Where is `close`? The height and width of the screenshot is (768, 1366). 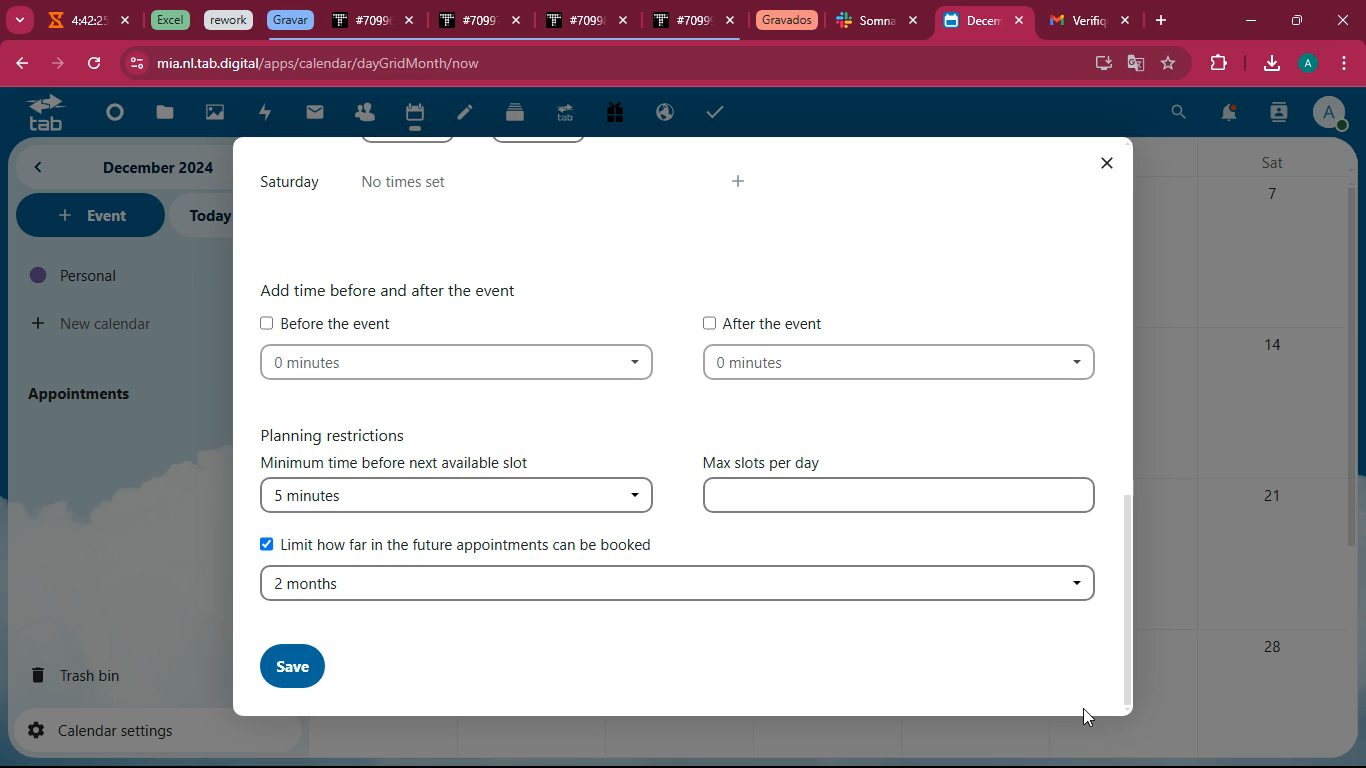 close is located at coordinates (919, 21).